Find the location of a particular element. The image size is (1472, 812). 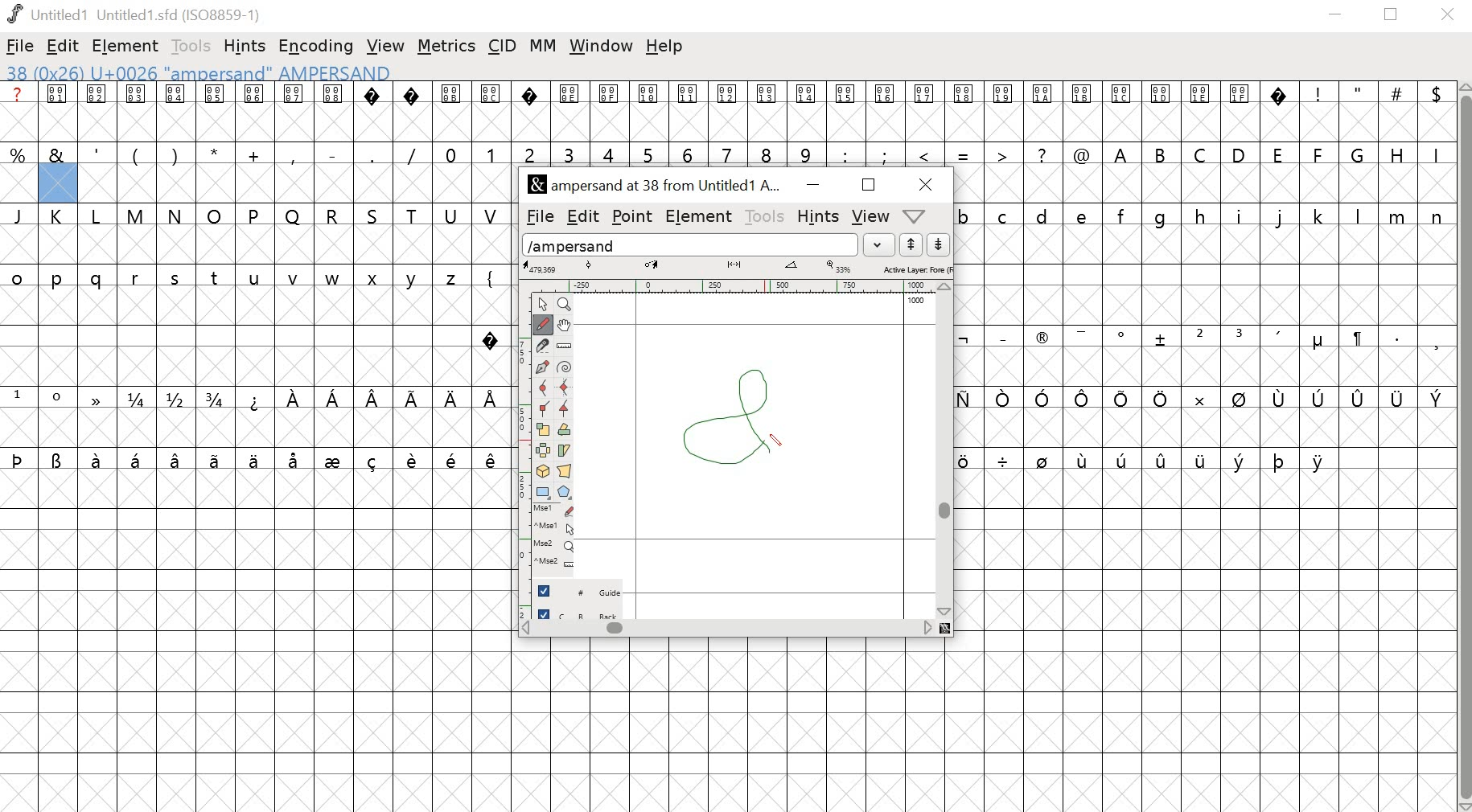

symbol is located at coordinates (1004, 460).